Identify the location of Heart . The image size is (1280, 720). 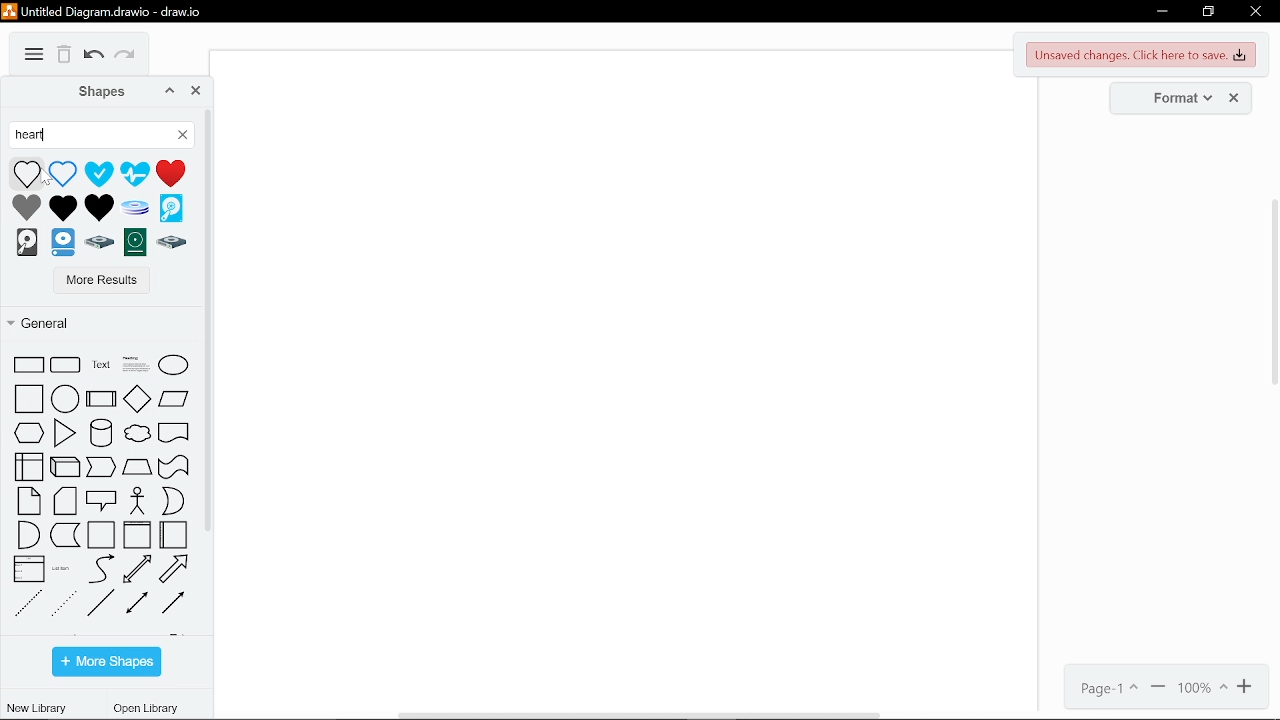
(28, 172).